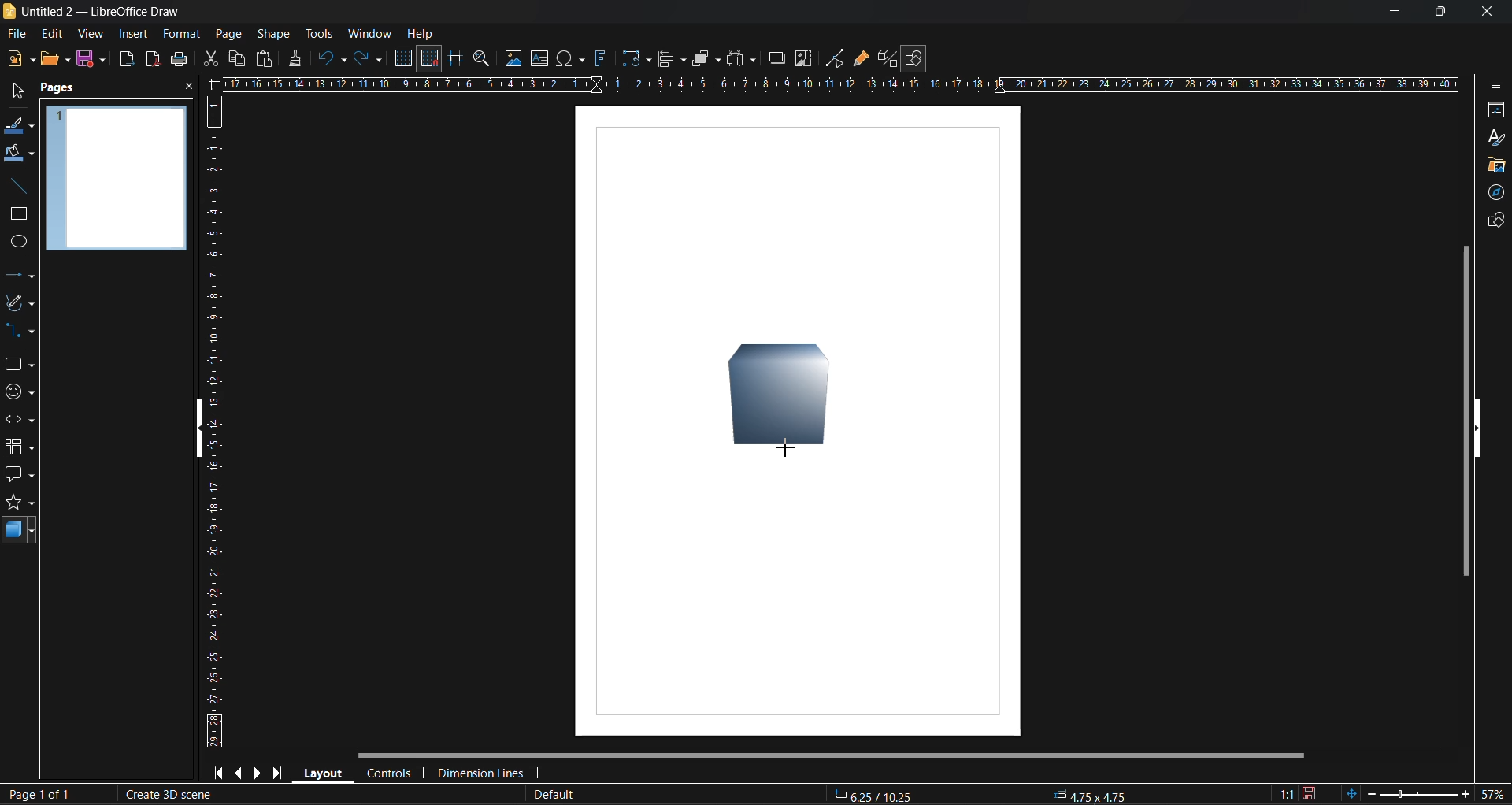 This screenshot has width=1512, height=805. Describe the element at coordinates (20, 421) in the screenshot. I see `block arrows` at that location.